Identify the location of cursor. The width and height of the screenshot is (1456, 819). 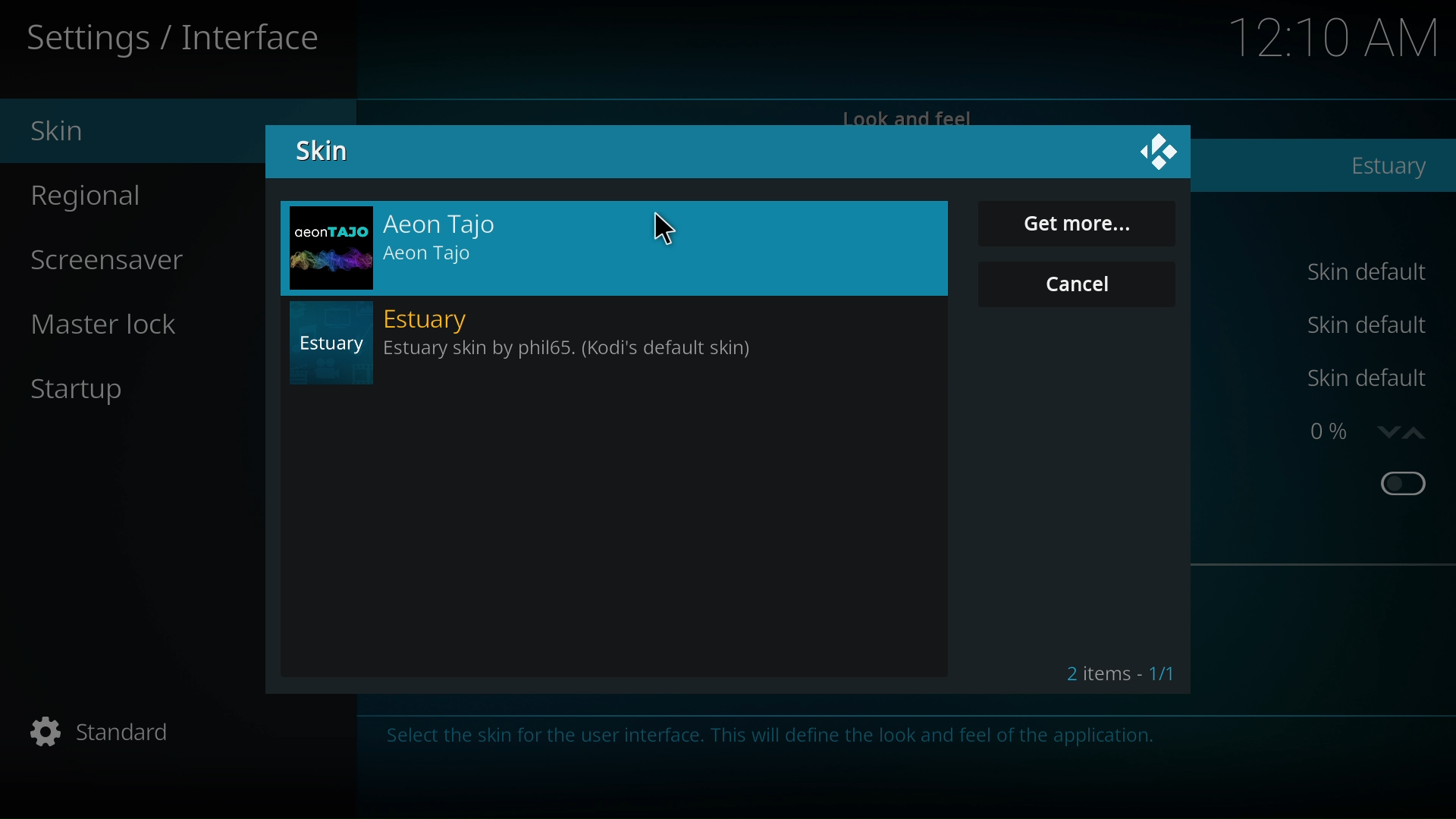
(670, 229).